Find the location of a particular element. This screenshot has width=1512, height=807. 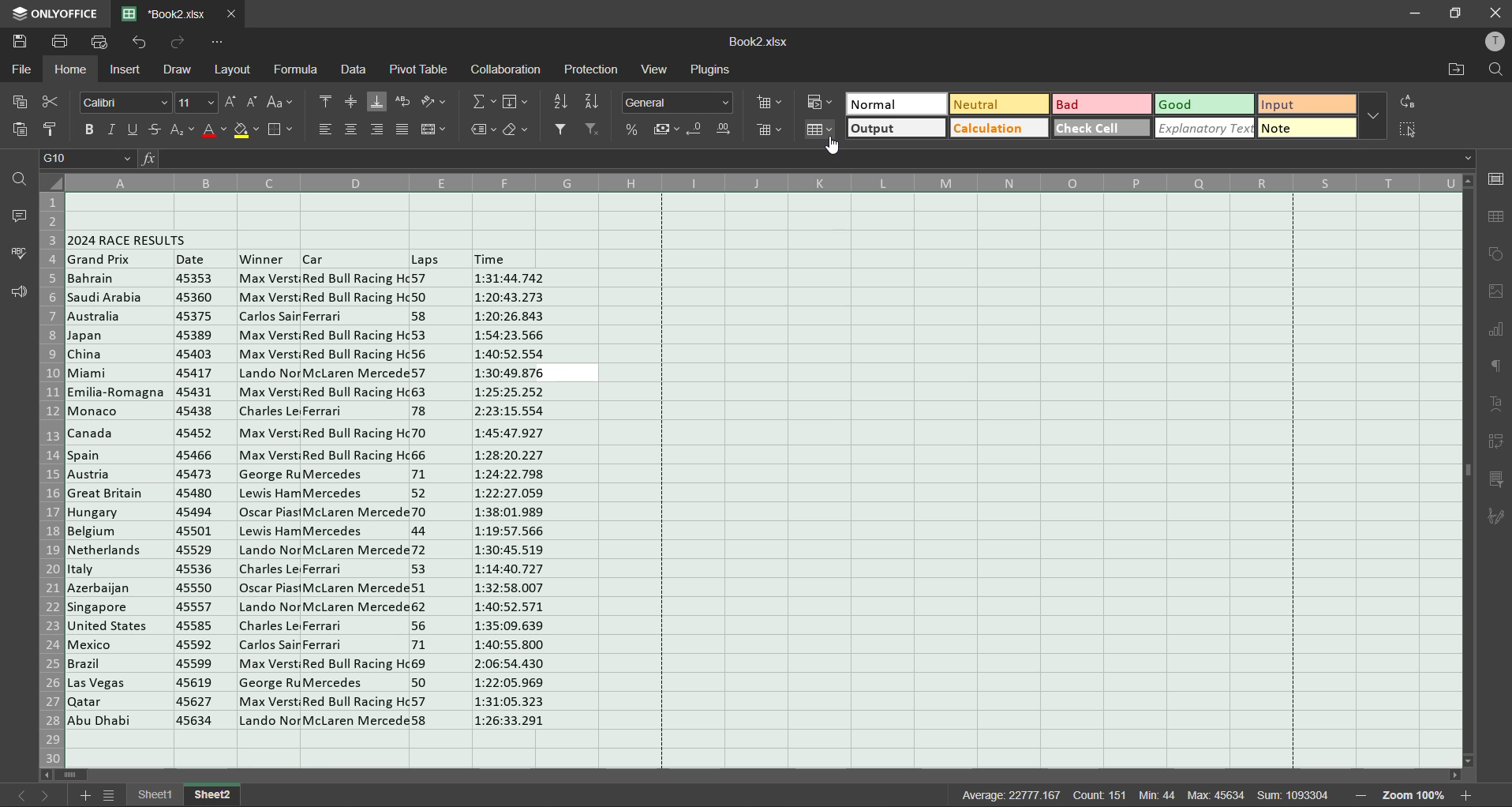

select cells is located at coordinates (1408, 133).